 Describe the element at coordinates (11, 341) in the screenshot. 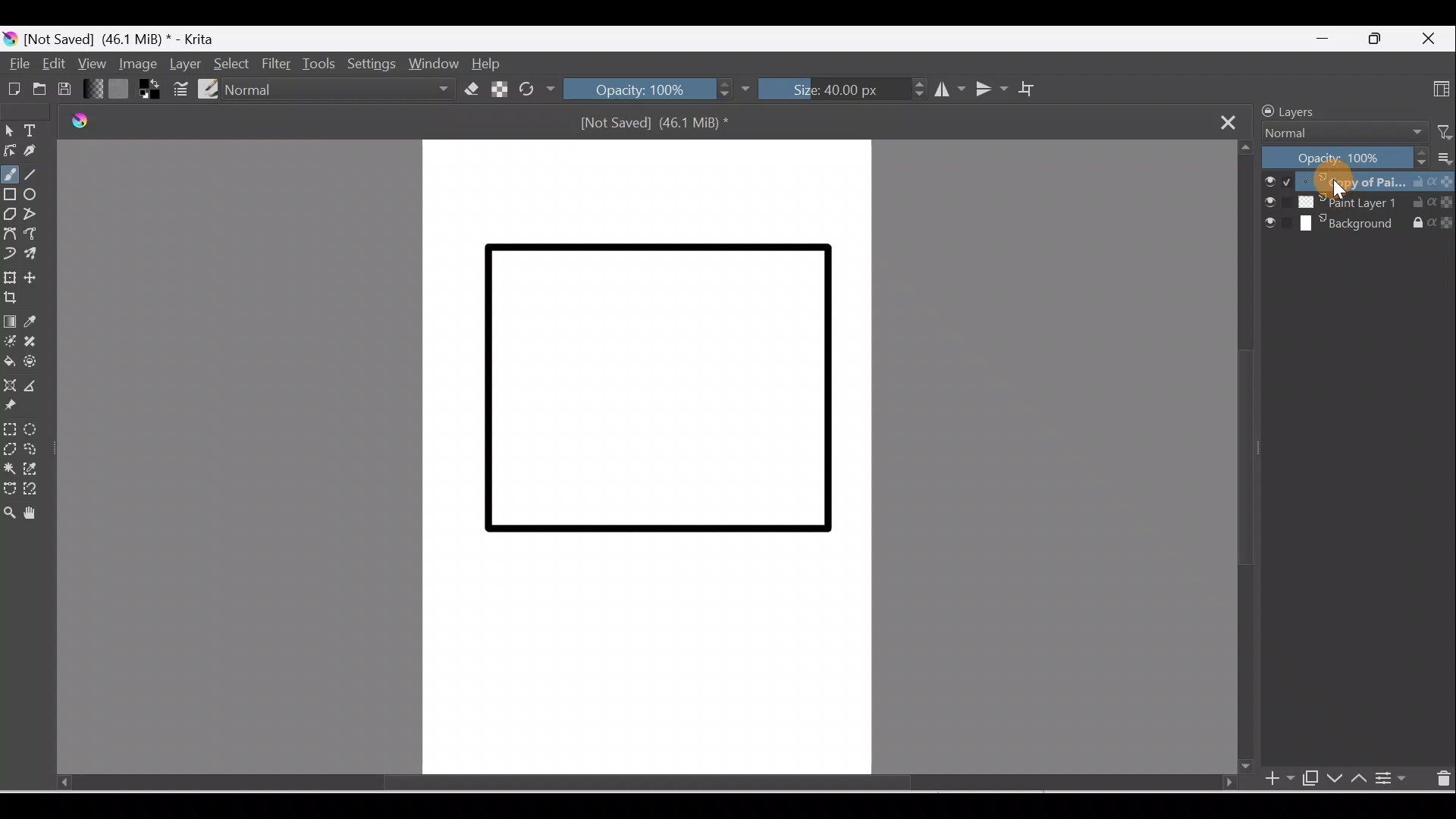

I see `Colourise mask tool` at that location.